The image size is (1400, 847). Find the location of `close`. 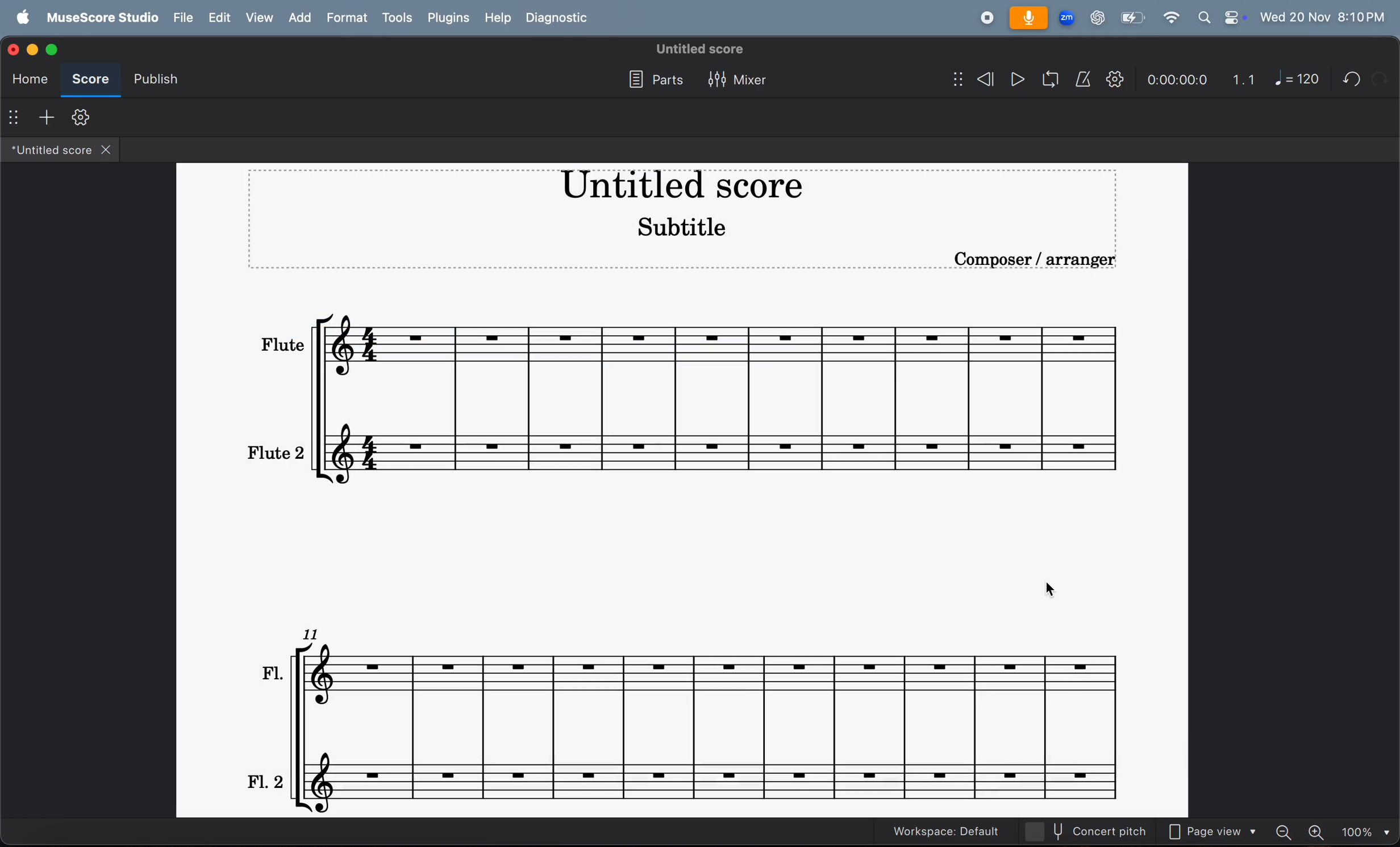

close is located at coordinates (15, 52).